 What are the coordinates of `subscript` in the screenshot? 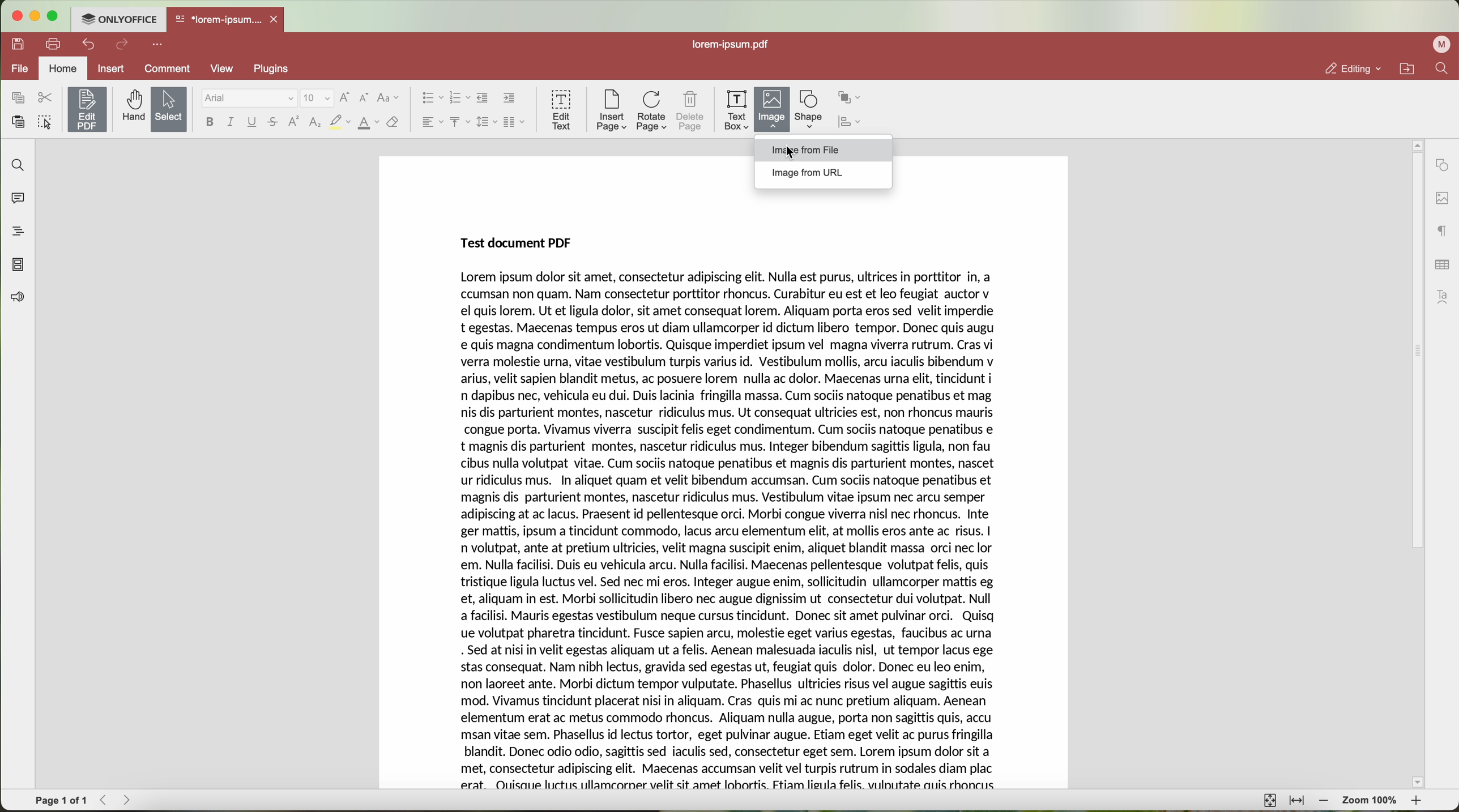 It's located at (316, 123).